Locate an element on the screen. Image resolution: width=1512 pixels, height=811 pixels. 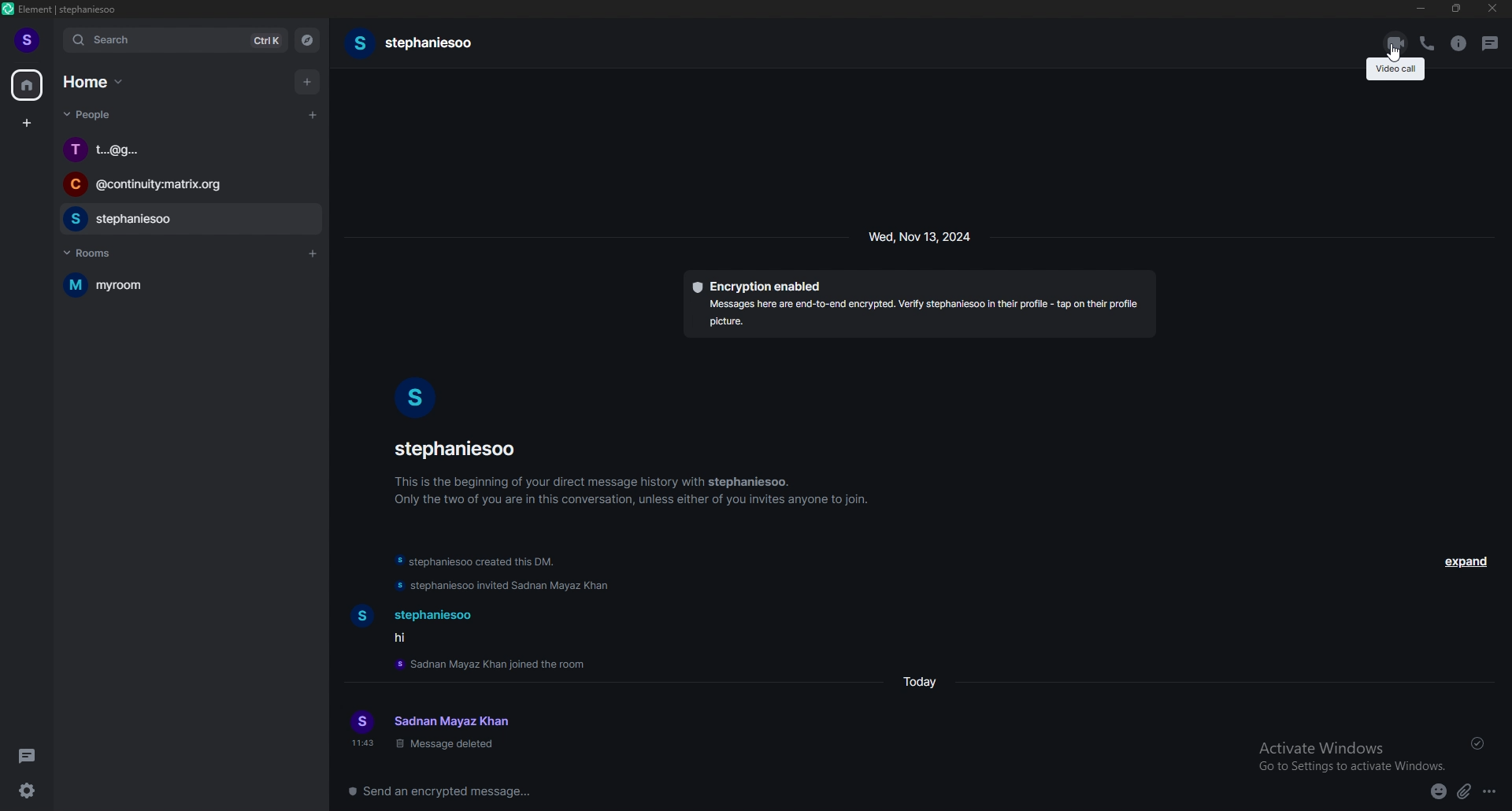
voice call is located at coordinates (1427, 43).